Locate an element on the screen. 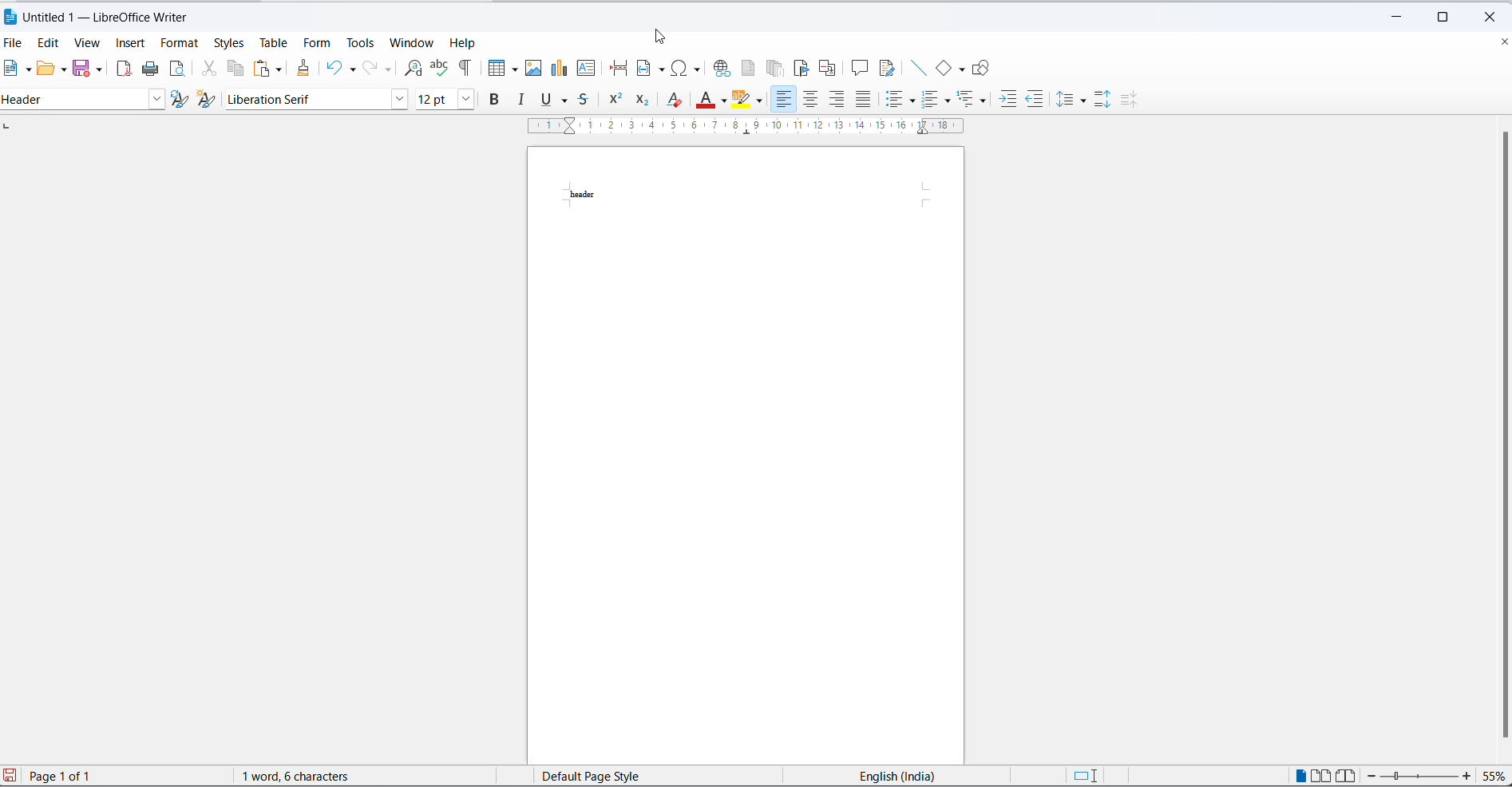 The width and height of the screenshot is (1512, 787). LibreOffice Icon is located at coordinates (10, 17).